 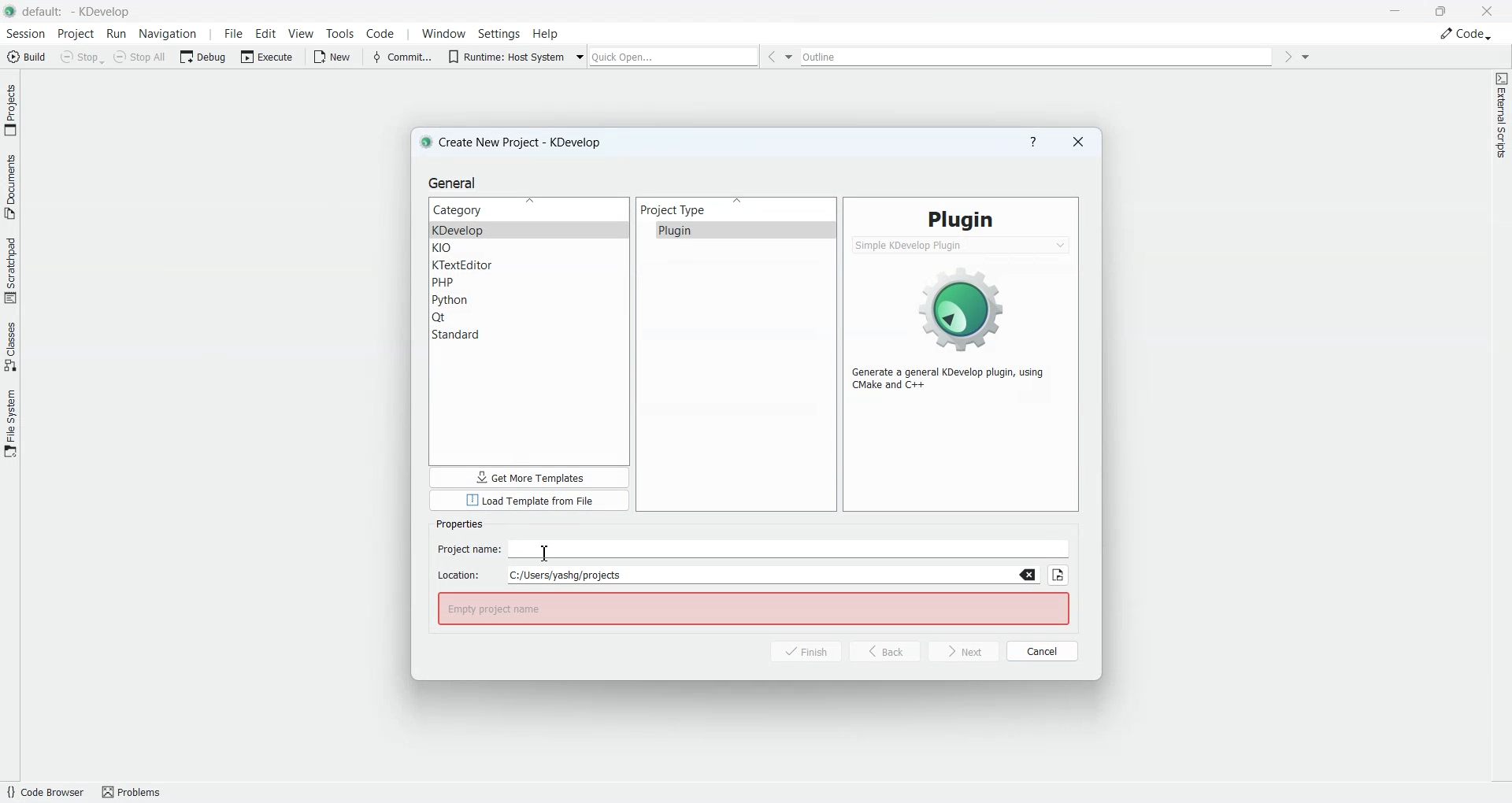 I want to click on Project, so click(x=76, y=34).